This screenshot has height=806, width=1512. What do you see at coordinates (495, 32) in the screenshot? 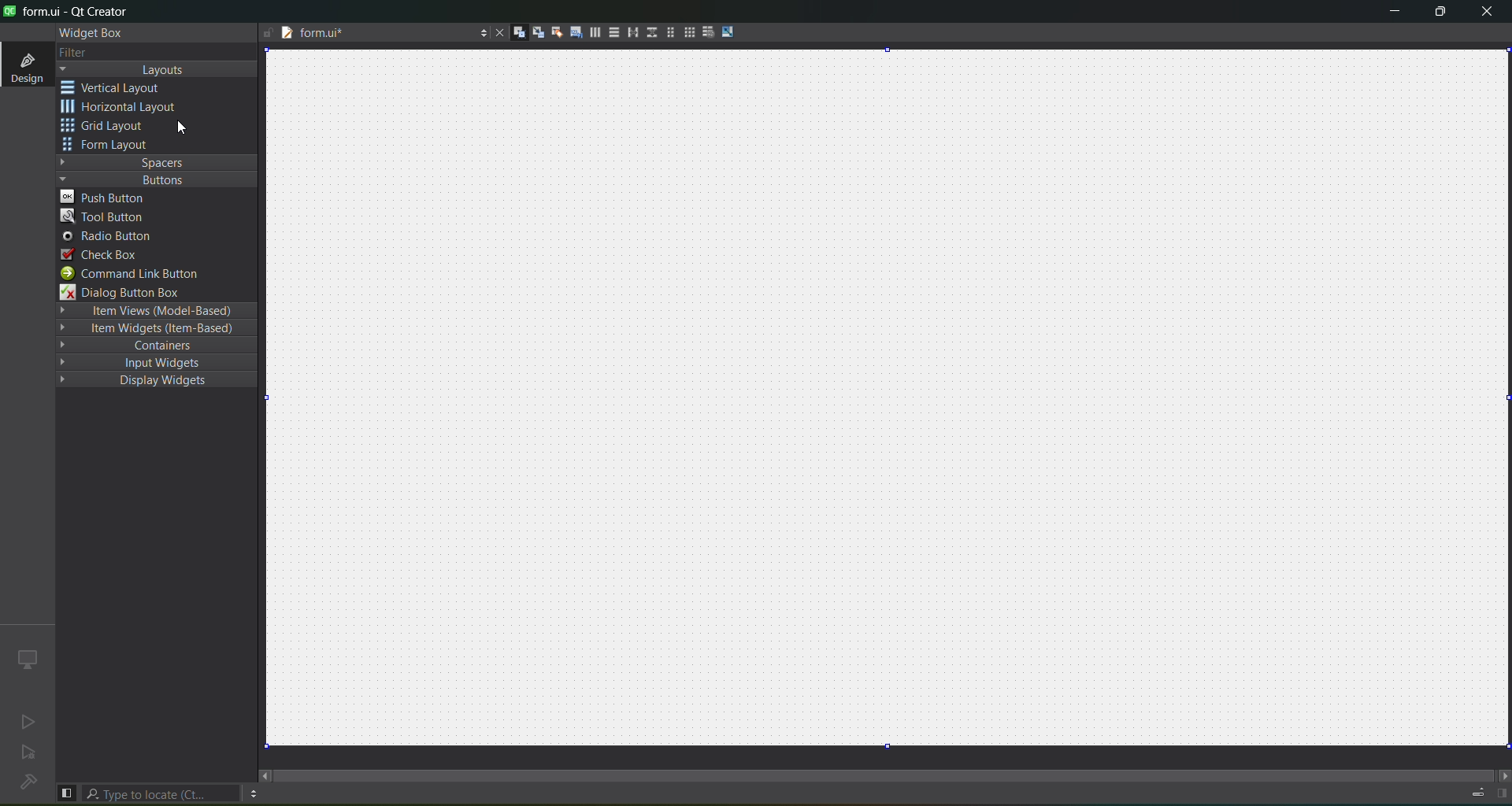
I see `close tab` at bounding box center [495, 32].